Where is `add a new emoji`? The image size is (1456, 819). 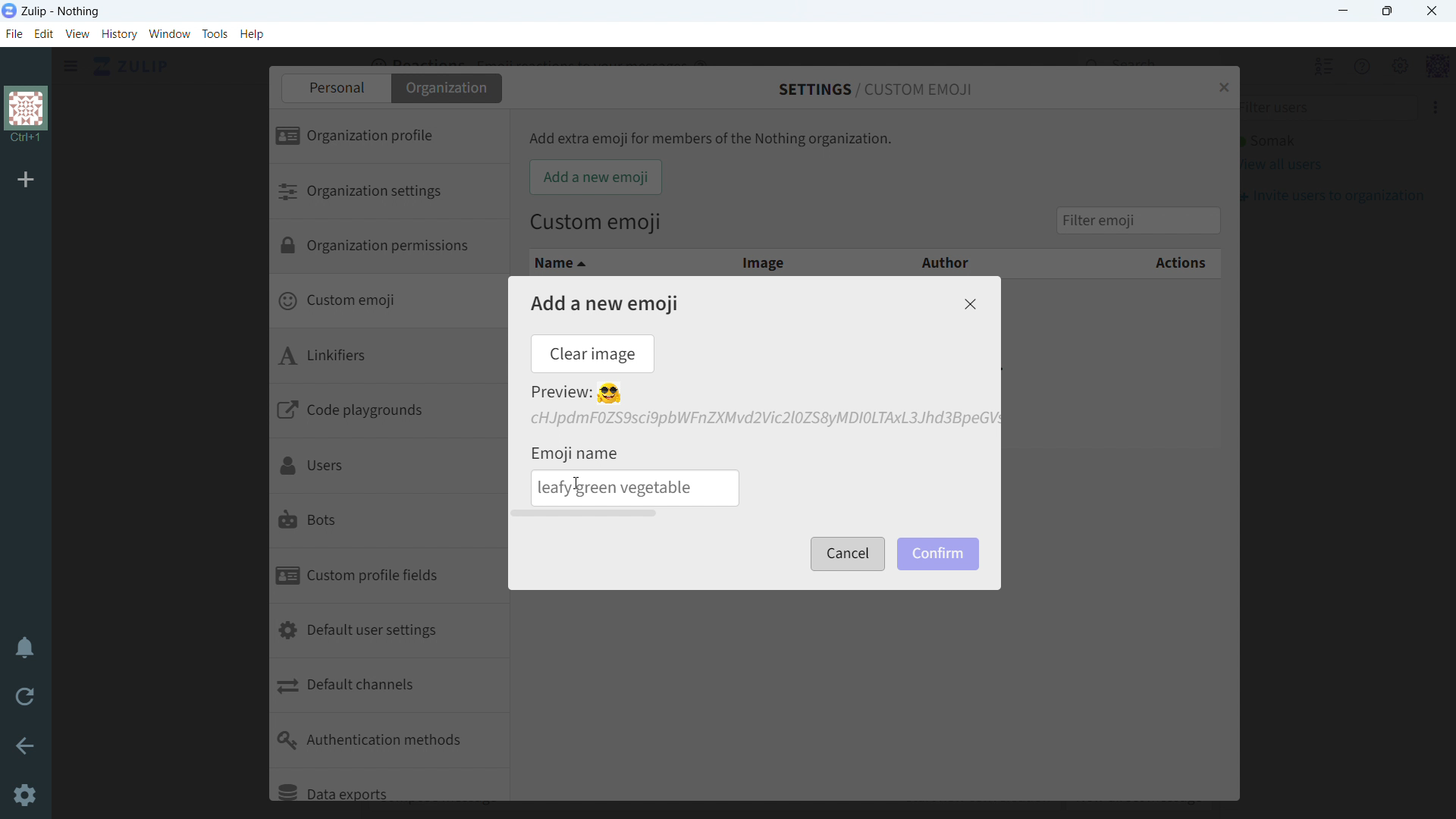 add a new emoji is located at coordinates (595, 177).